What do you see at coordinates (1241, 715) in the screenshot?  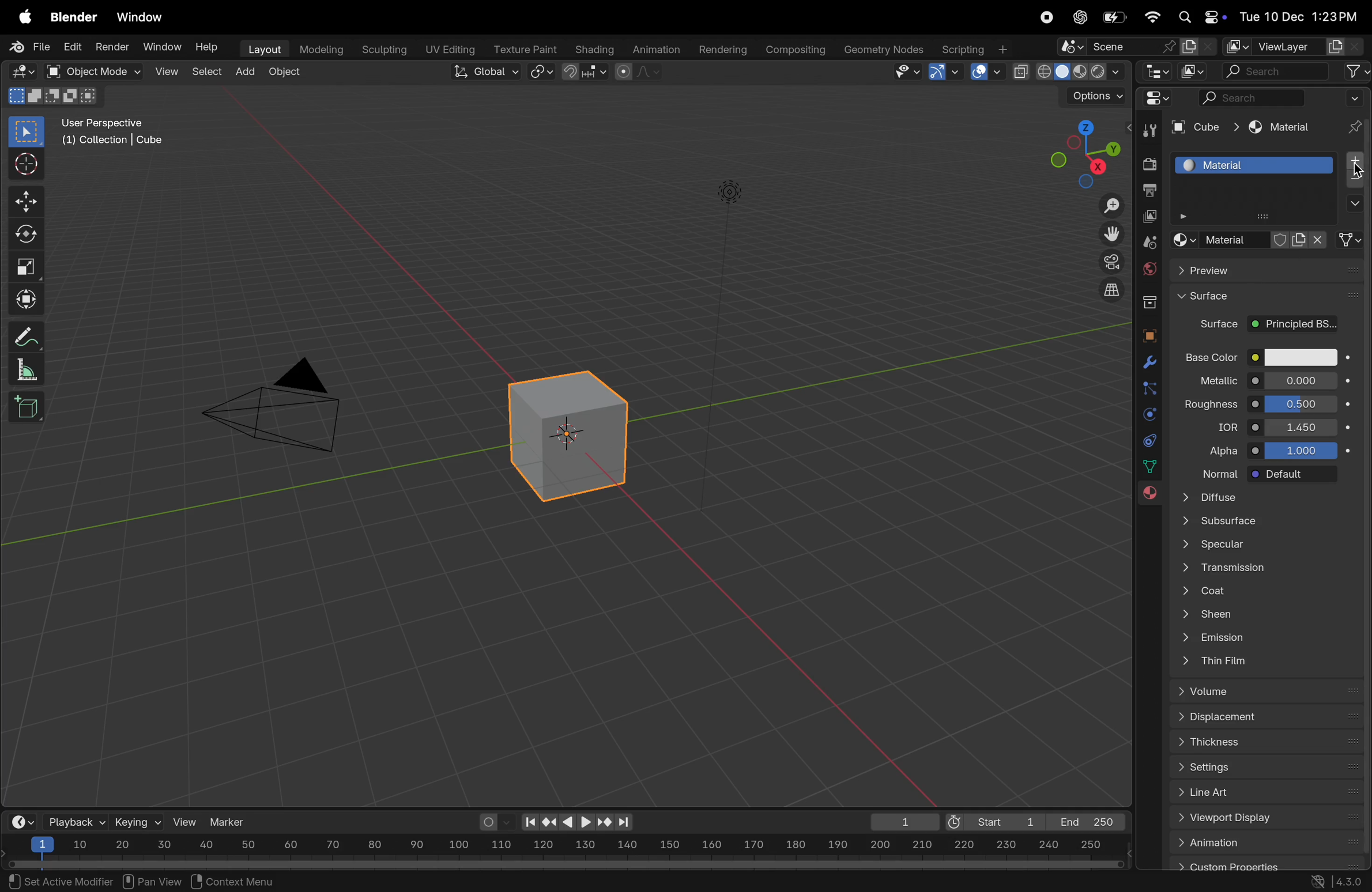 I see `displacement` at bounding box center [1241, 715].